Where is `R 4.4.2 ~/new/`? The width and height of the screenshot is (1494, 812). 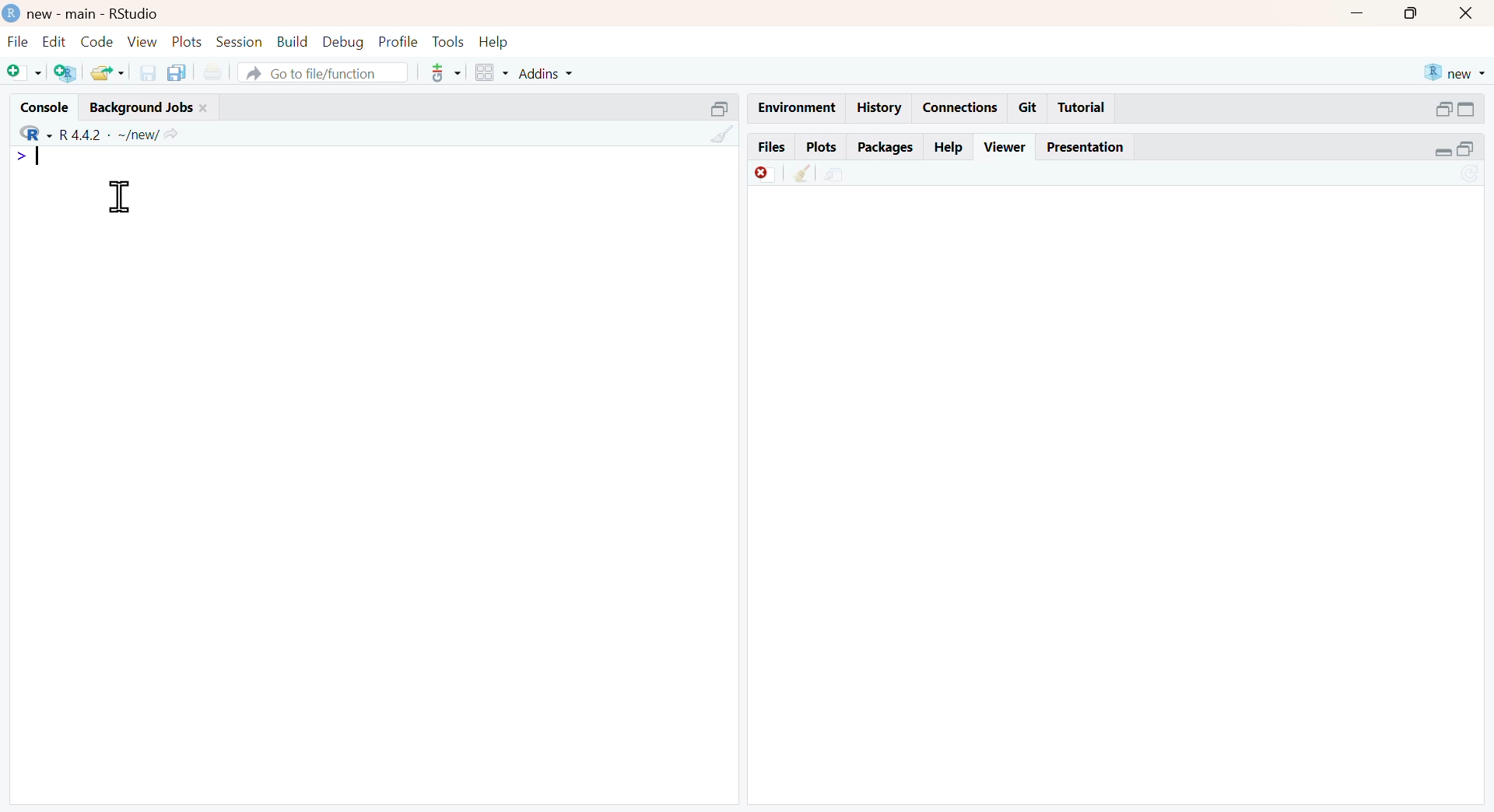
R 4.4.2 ~/new/ is located at coordinates (110, 135).